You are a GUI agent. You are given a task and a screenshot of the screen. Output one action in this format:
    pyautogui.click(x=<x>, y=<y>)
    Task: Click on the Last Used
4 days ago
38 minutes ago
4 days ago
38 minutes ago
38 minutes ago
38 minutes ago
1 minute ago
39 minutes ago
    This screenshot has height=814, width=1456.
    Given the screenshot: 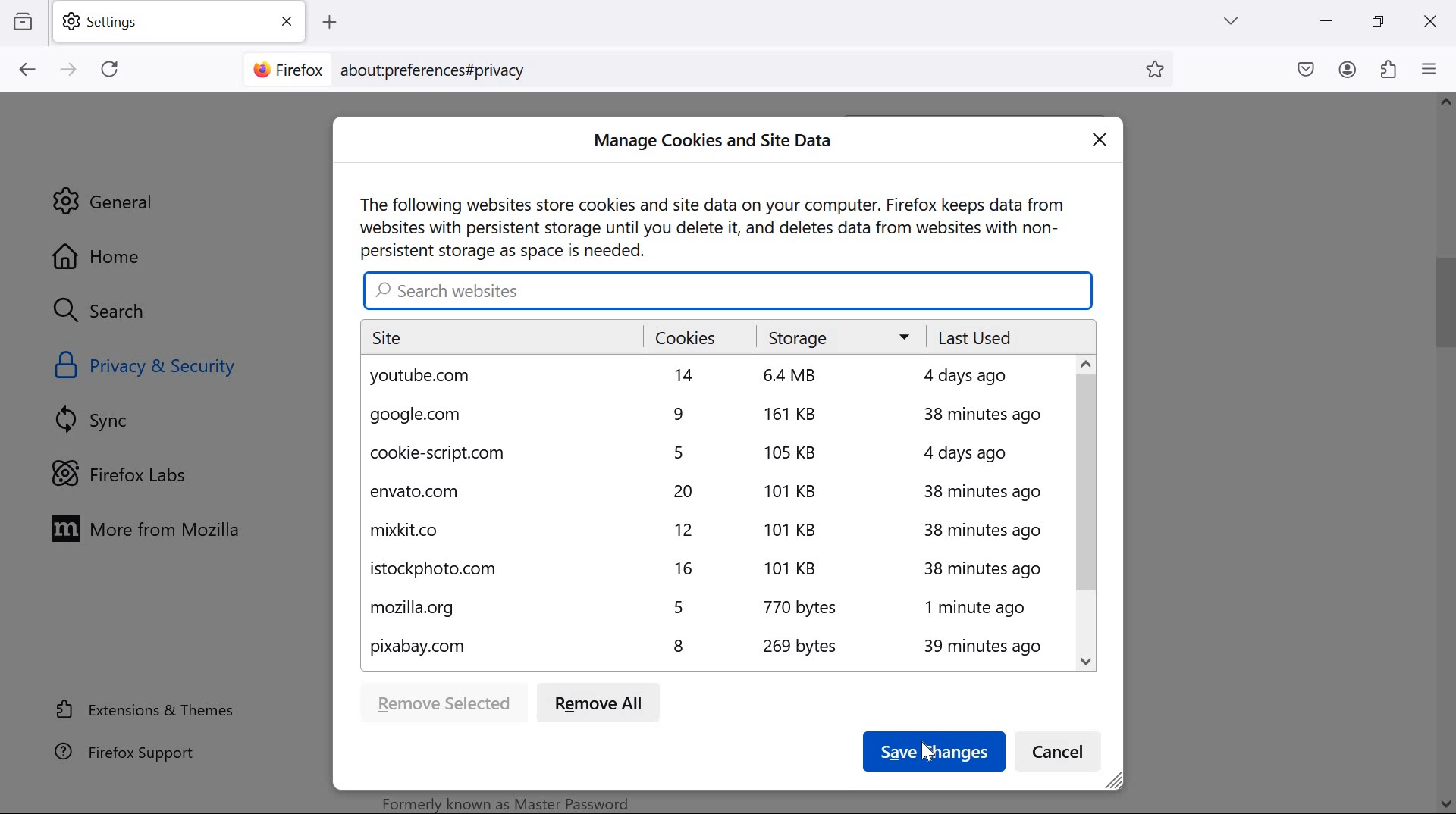 What is the action you would take?
    pyautogui.click(x=990, y=494)
    